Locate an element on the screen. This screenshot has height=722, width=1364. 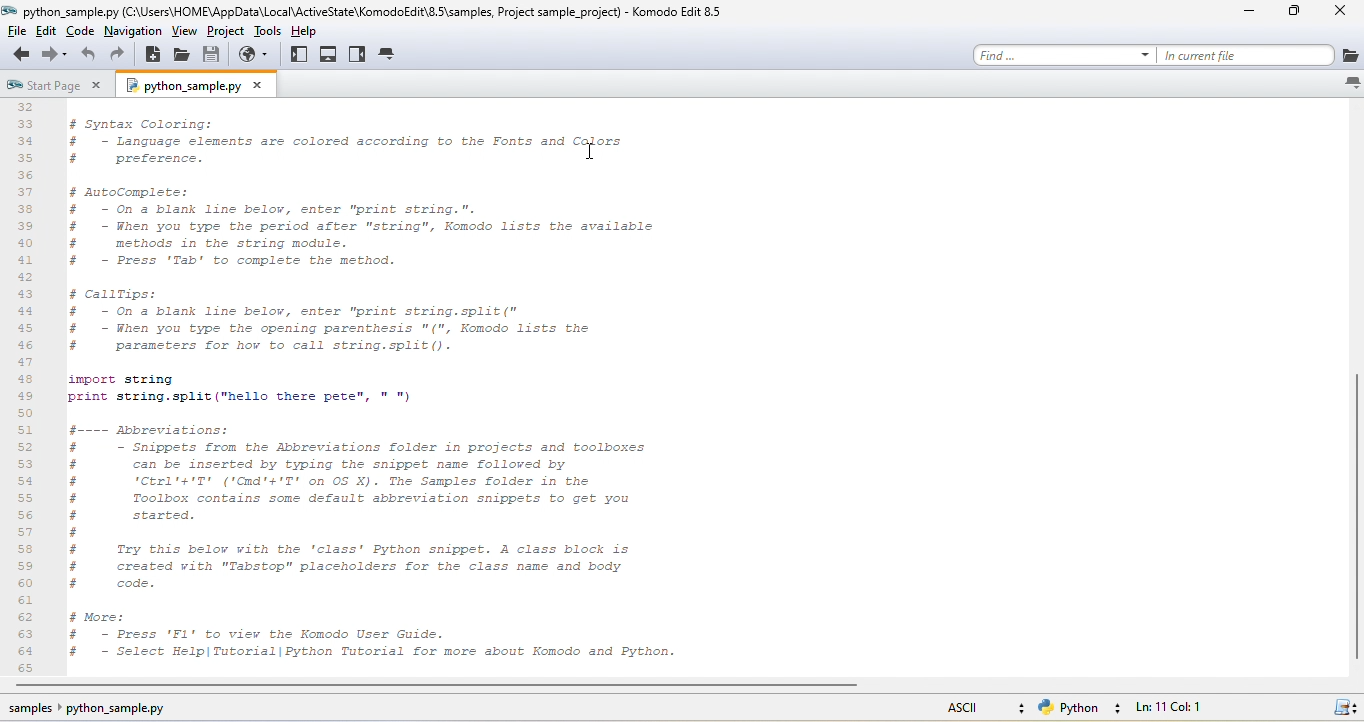
code is located at coordinates (82, 32).